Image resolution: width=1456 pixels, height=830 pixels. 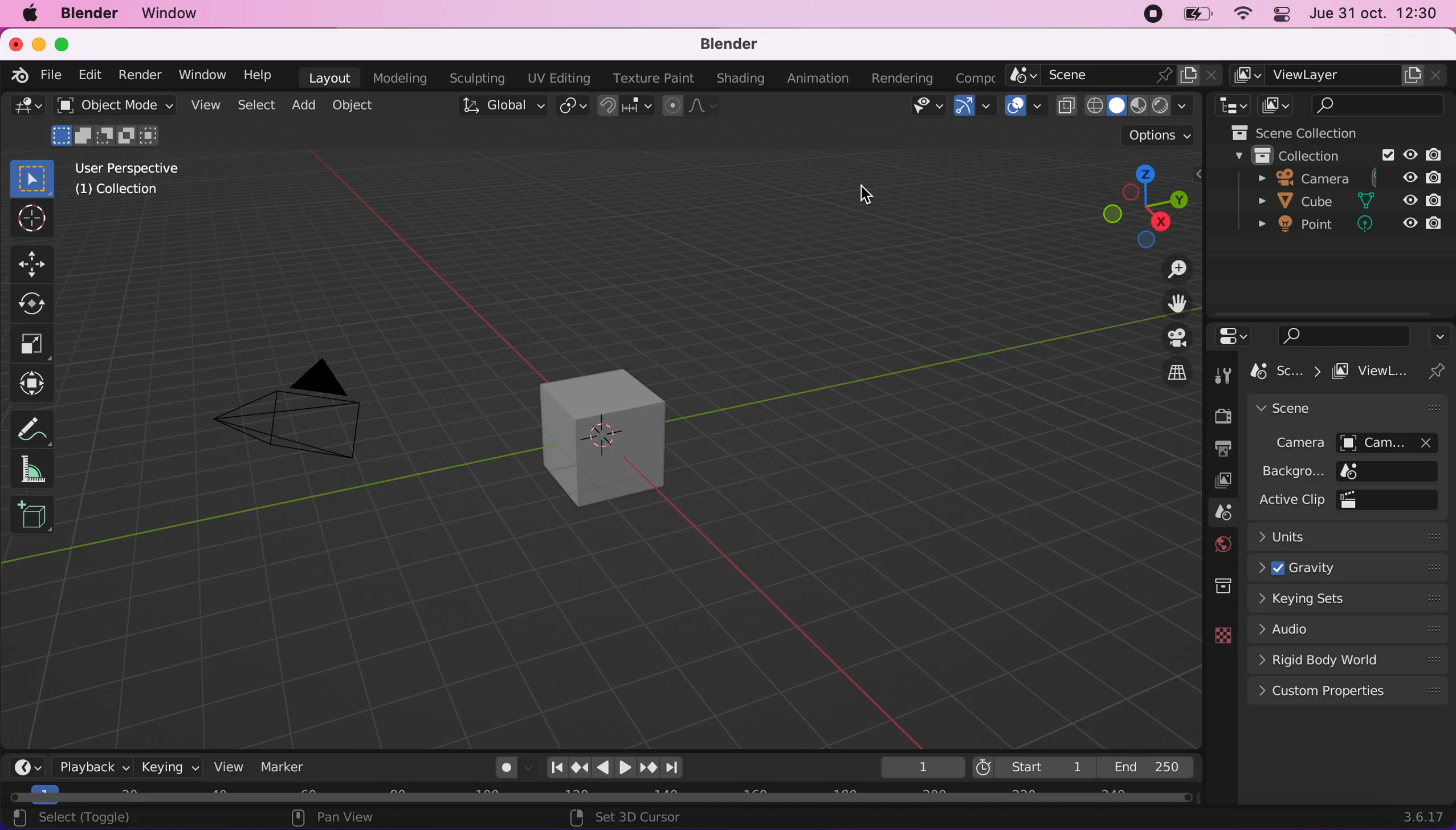 What do you see at coordinates (1170, 304) in the screenshot?
I see `move the view` at bounding box center [1170, 304].